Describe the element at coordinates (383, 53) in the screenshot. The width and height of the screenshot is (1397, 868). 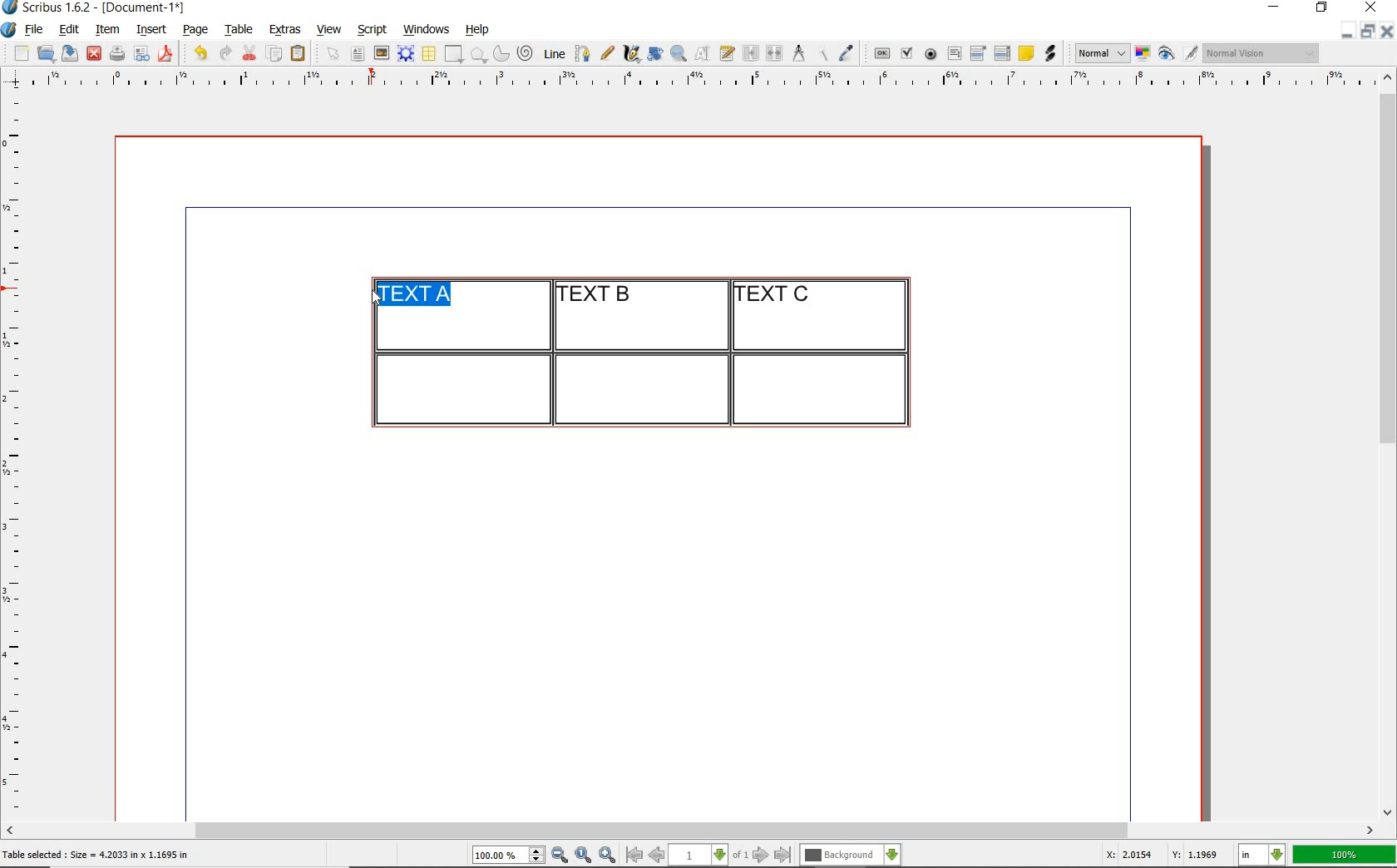
I see `image frame` at that location.